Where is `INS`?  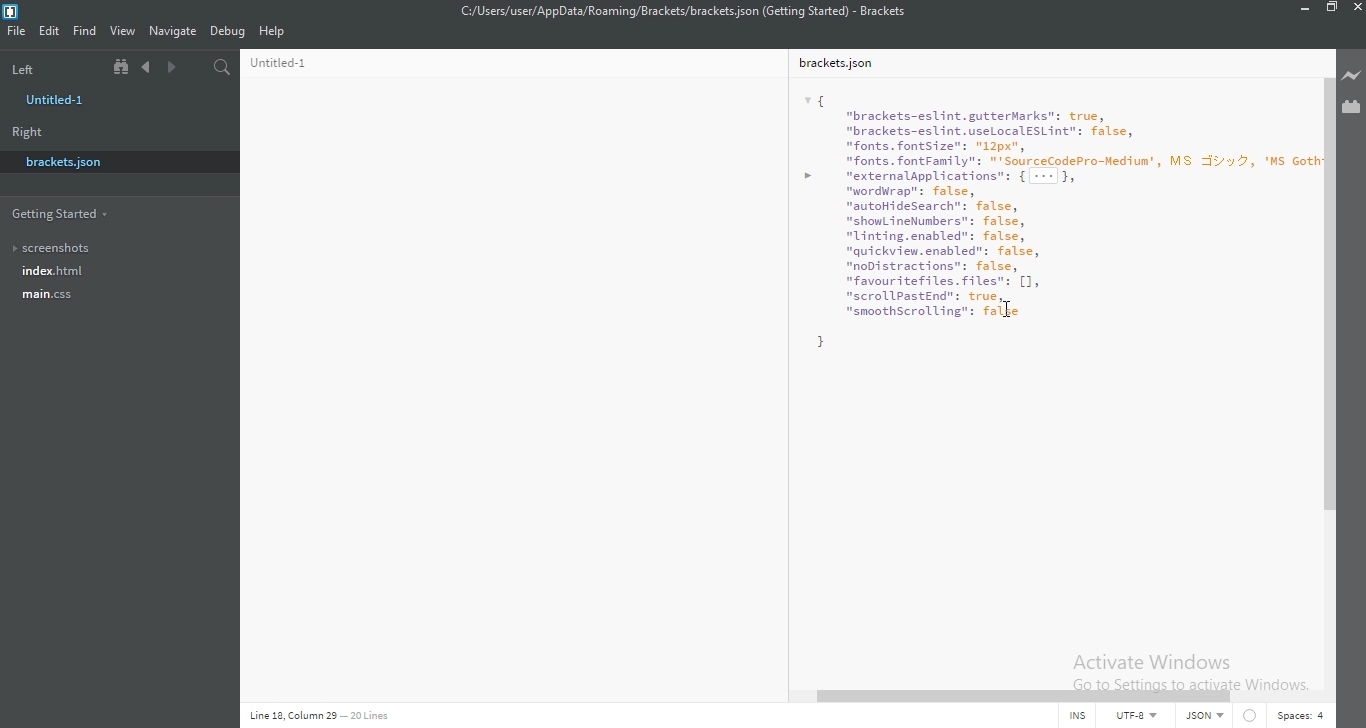
INS is located at coordinates (1073, 717).